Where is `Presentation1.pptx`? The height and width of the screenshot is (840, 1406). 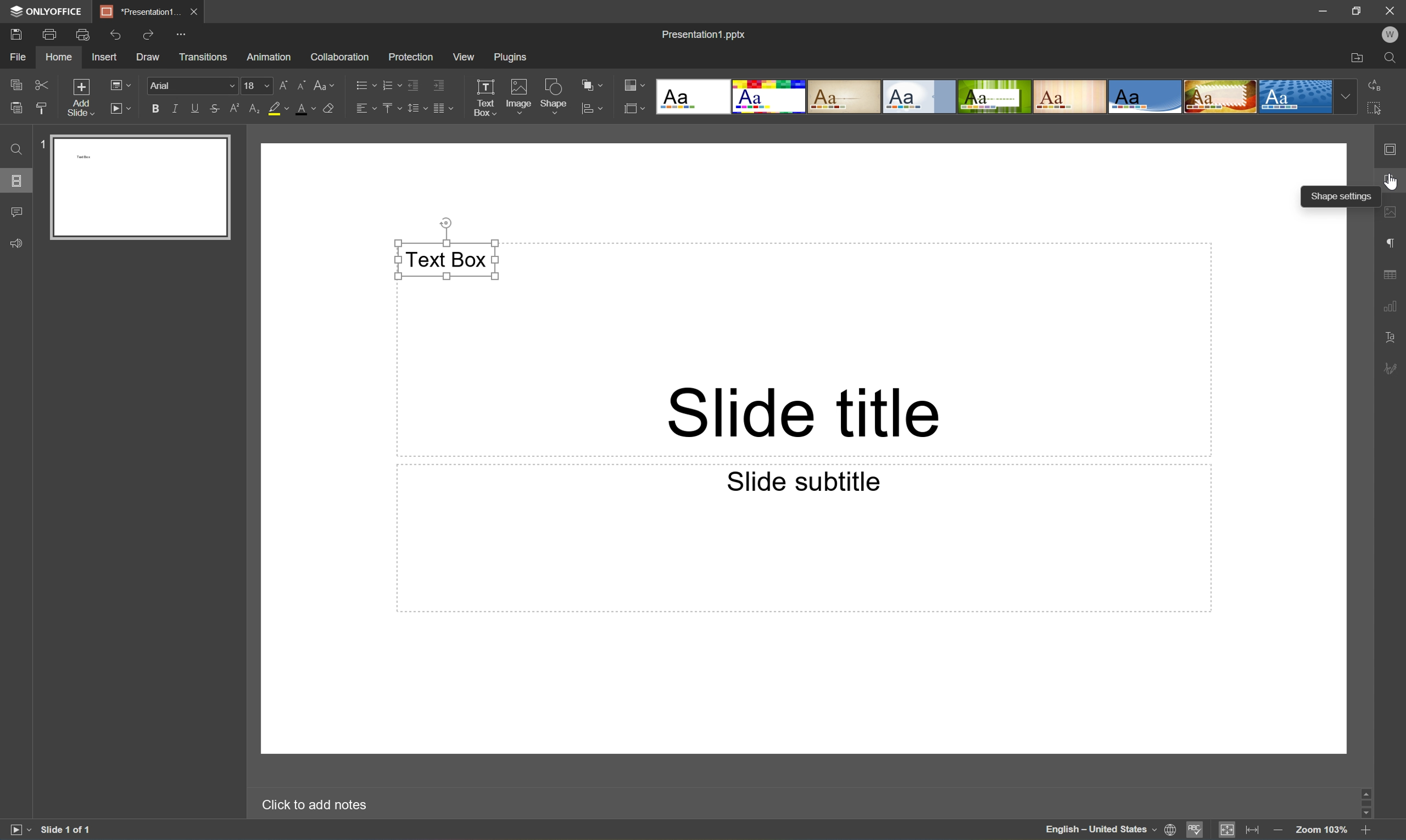
Presentation1.pptx is located at coordinates (706, 36).